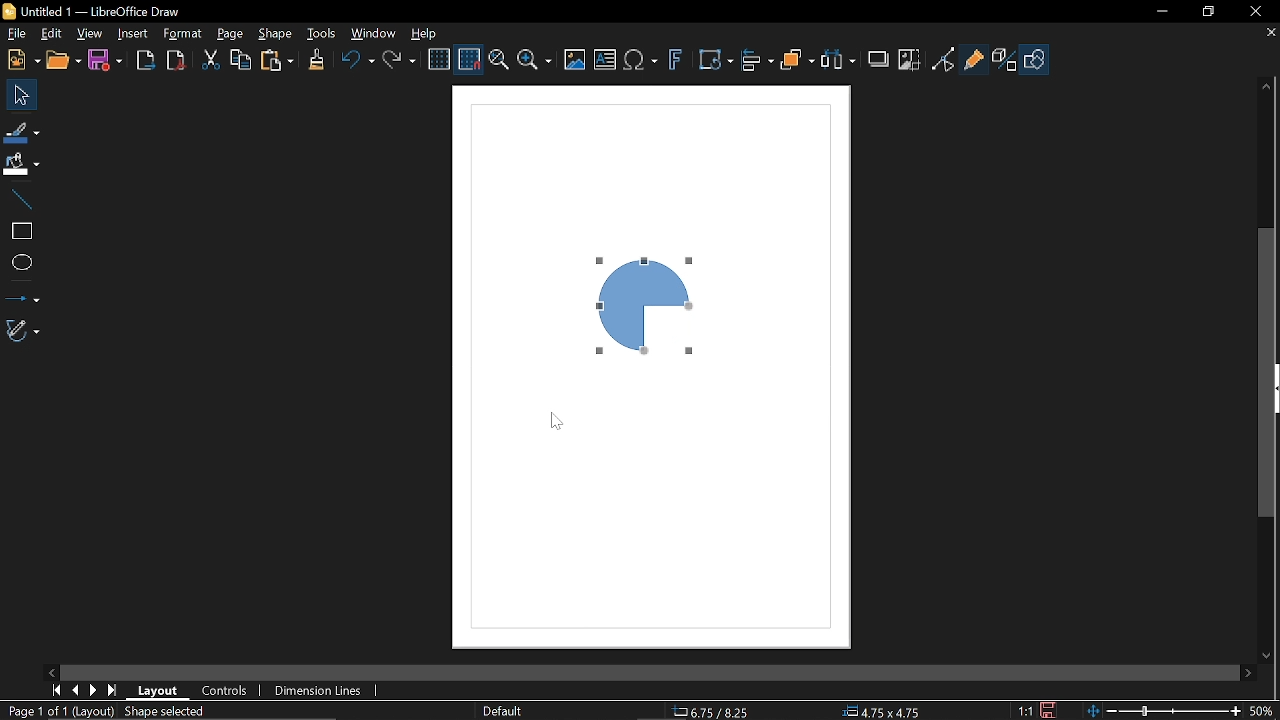 The image size is (1280, 720). I want to click on Window, so click(374, 33).